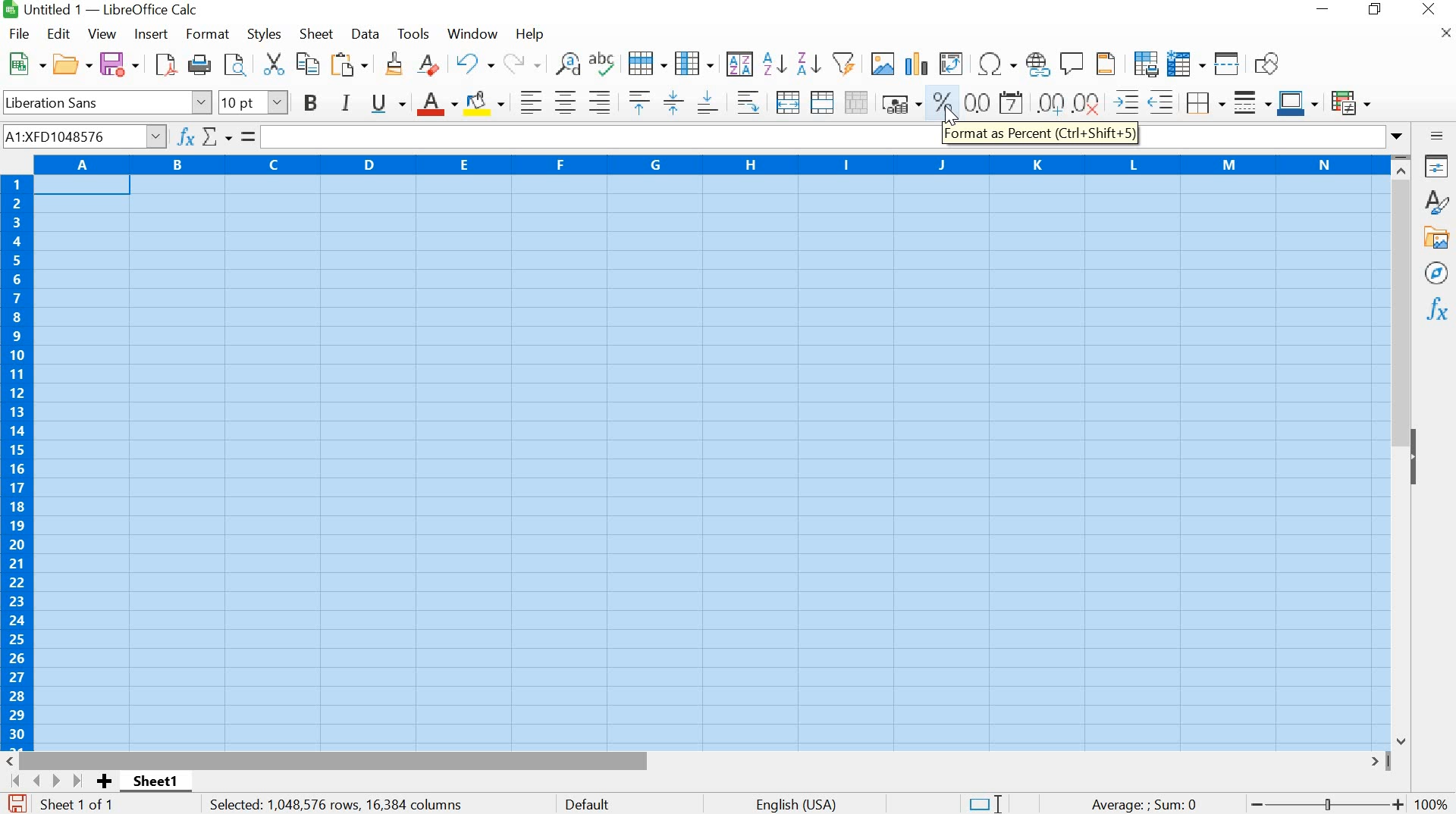 Image resolution: width=1456 pixels, height=814 pixels. Describe the element at coordinates (1087, 102) in the screenshot. I see `Delete Decimal Place` at that location.